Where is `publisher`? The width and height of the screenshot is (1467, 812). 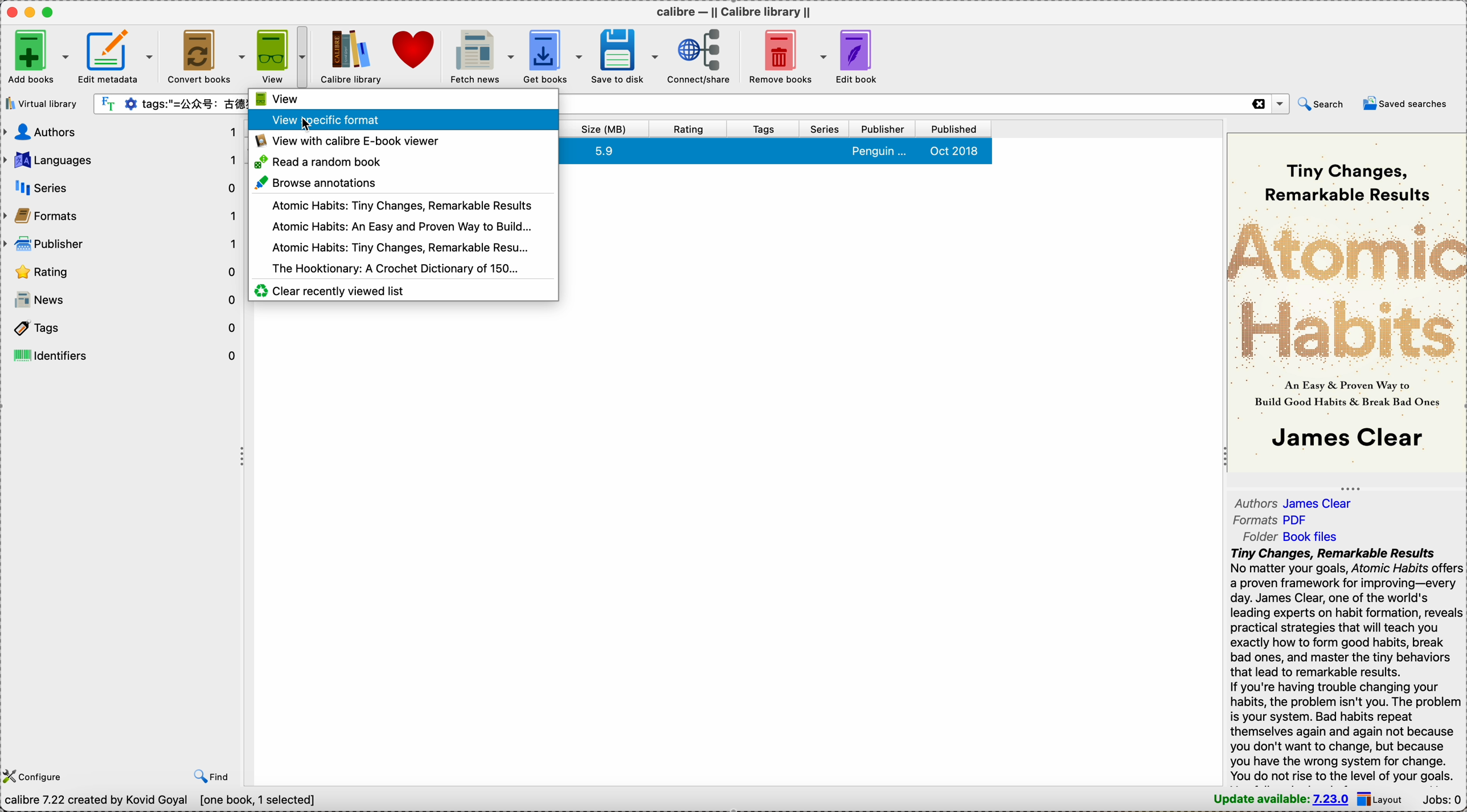
publisher is located at coordinates (885, 129).